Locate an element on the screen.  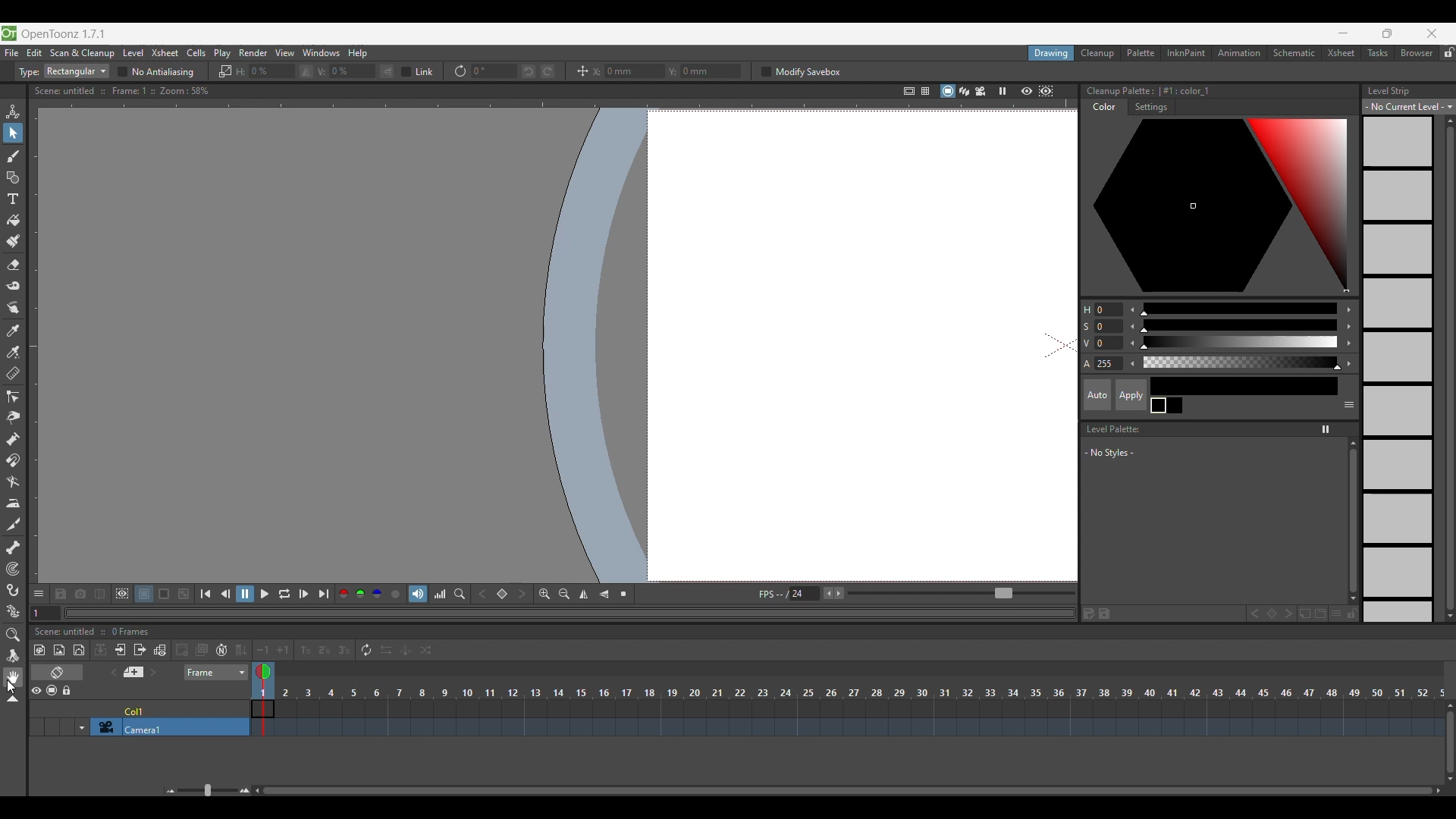
Red channel is located at coordinates (344, 591).